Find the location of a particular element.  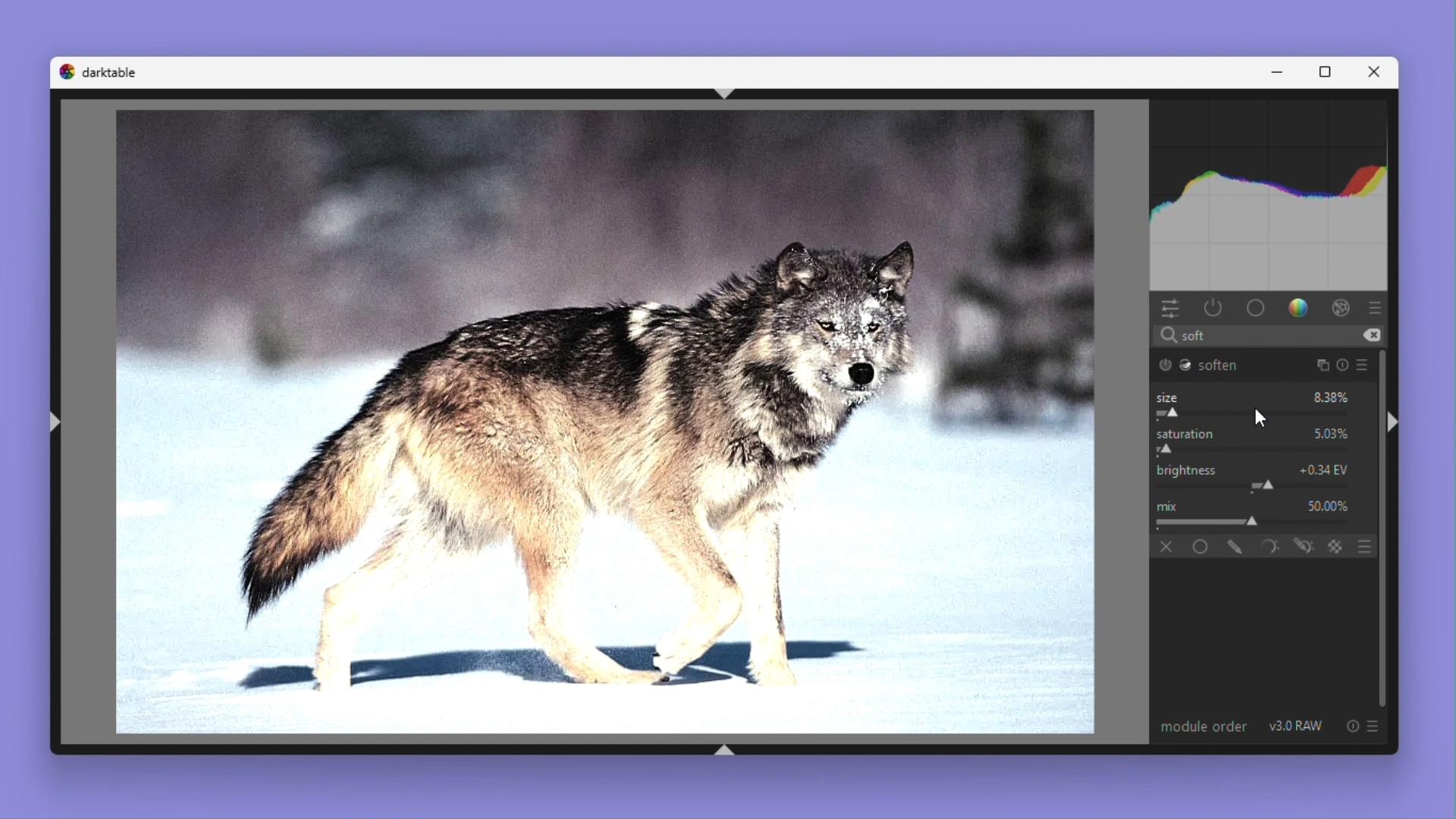

v 3.0 RAW is located at coordinates (1298, 726).